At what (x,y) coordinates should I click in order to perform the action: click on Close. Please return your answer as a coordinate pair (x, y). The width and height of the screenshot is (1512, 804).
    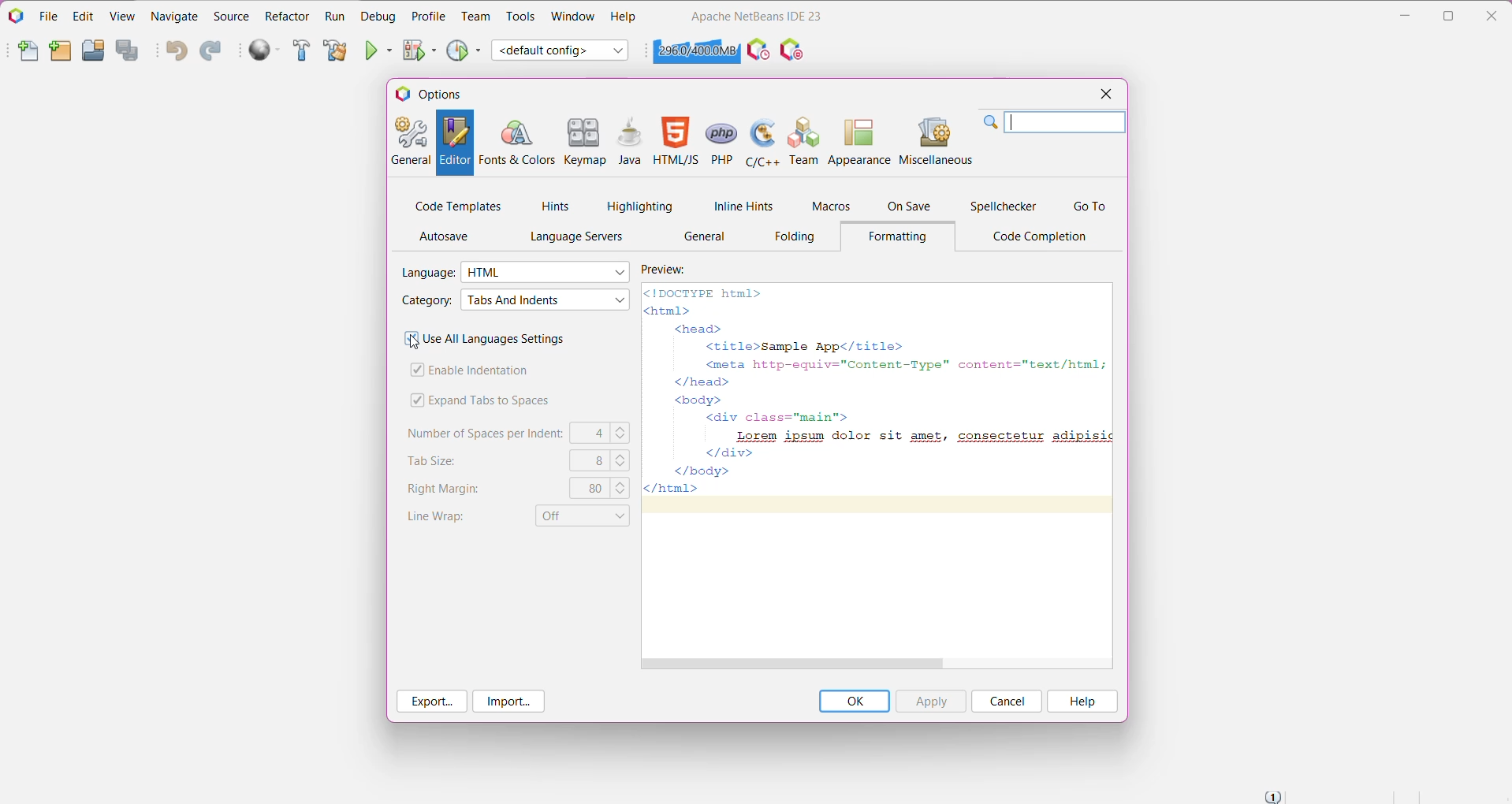
    Looking at the image, I should click on (1104, 95).